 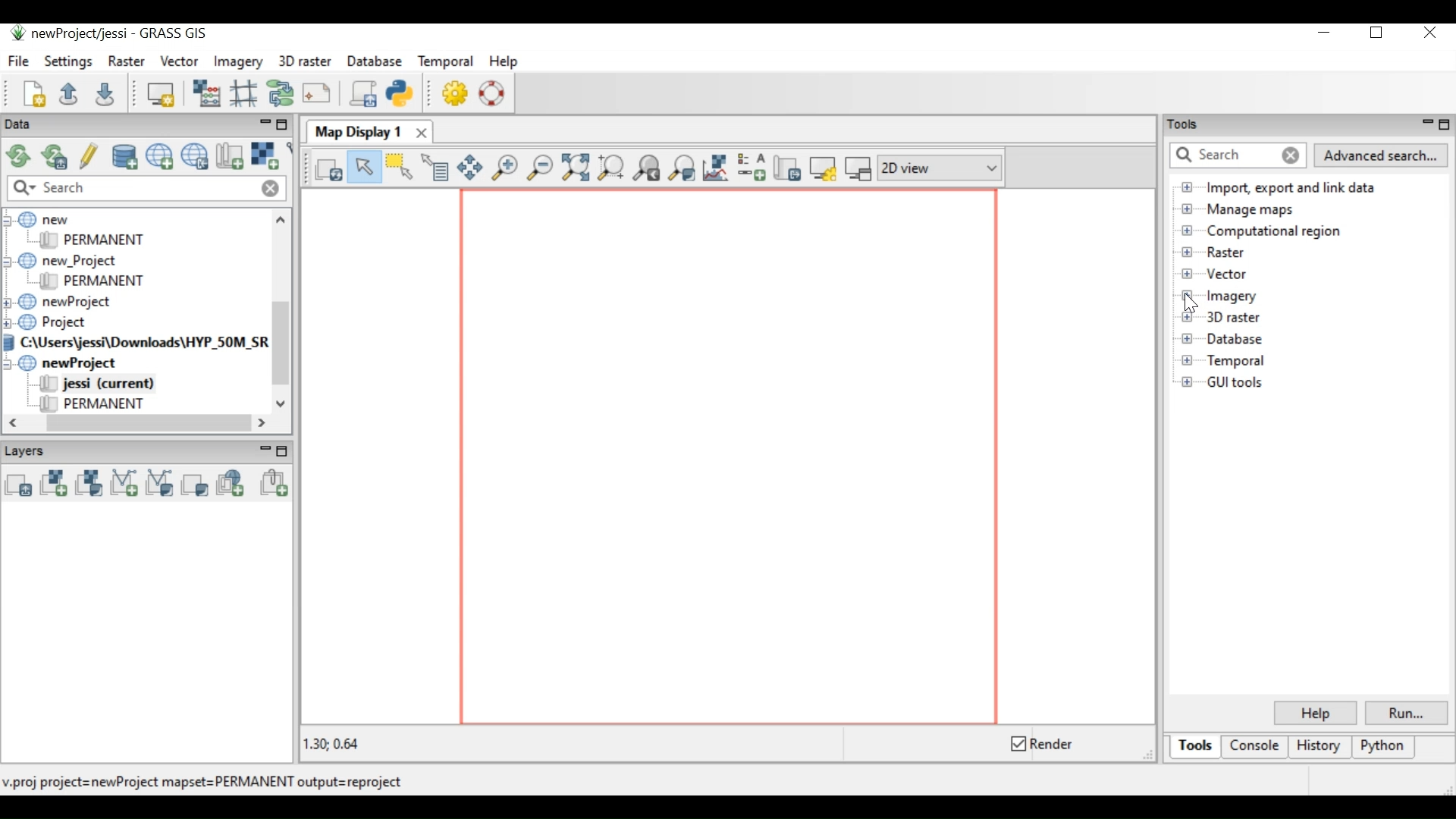 What do you see at coordinates (1323, 35) in the screenshot?
I see `Minimize` at bounding box center [1323, 35].